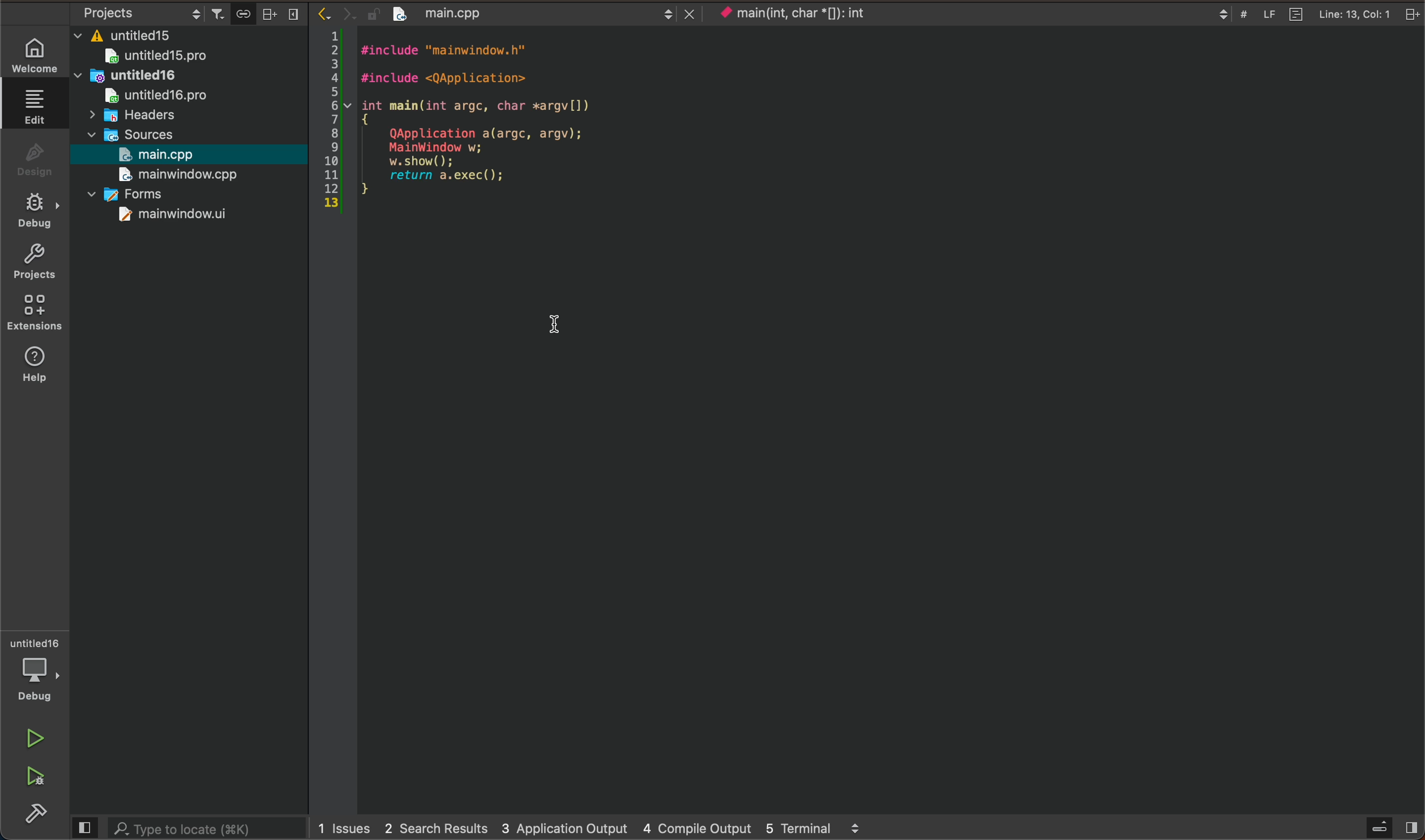  What do you see at coordinates (1387, 828) in the screenshot?
I see `sidebar open` at bounding box center [1387, 828].